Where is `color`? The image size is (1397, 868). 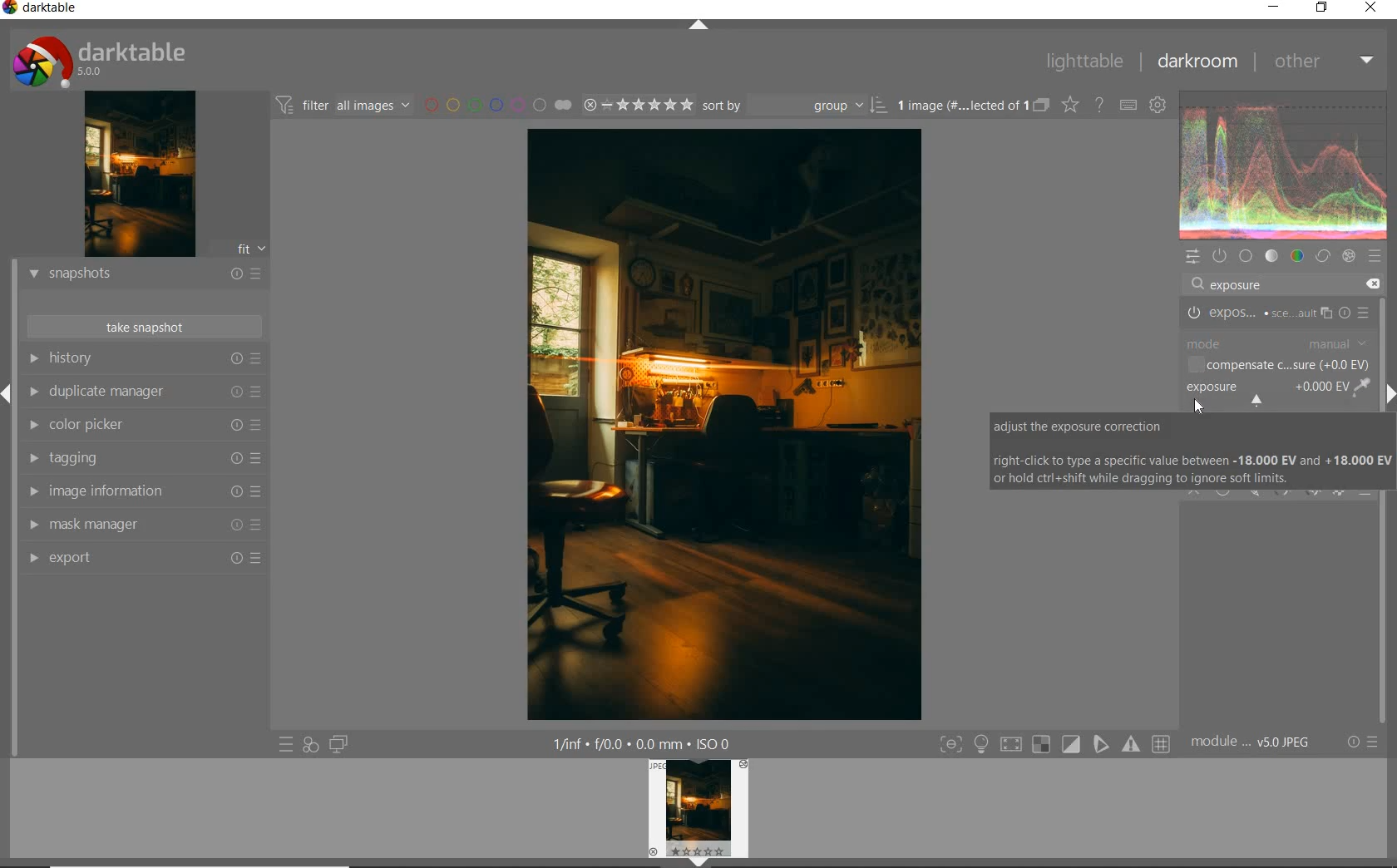
color is located at coordinates (1298, 255).